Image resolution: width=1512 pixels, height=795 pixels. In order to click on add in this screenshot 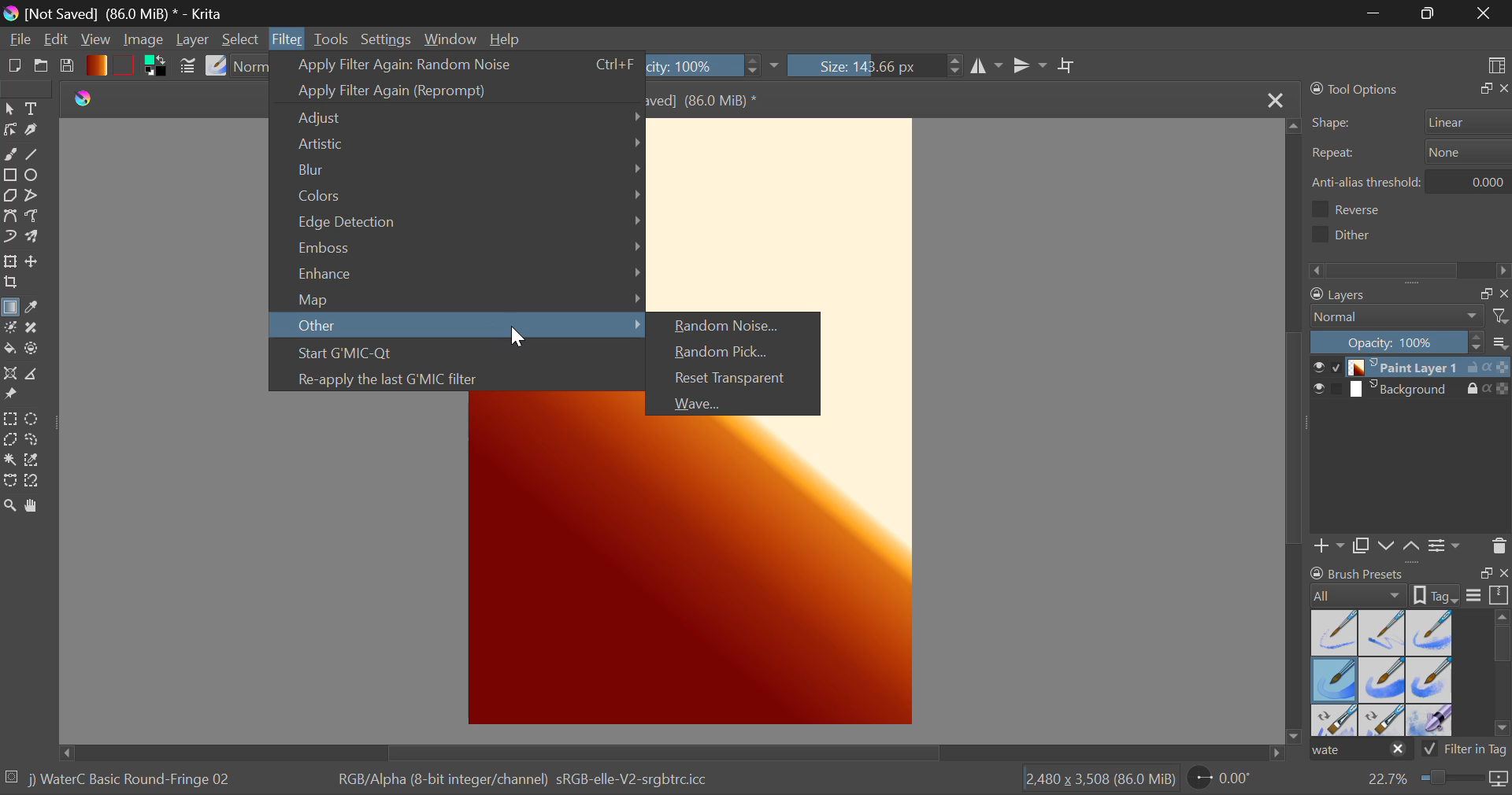, I will do `click(1330, 548)`.